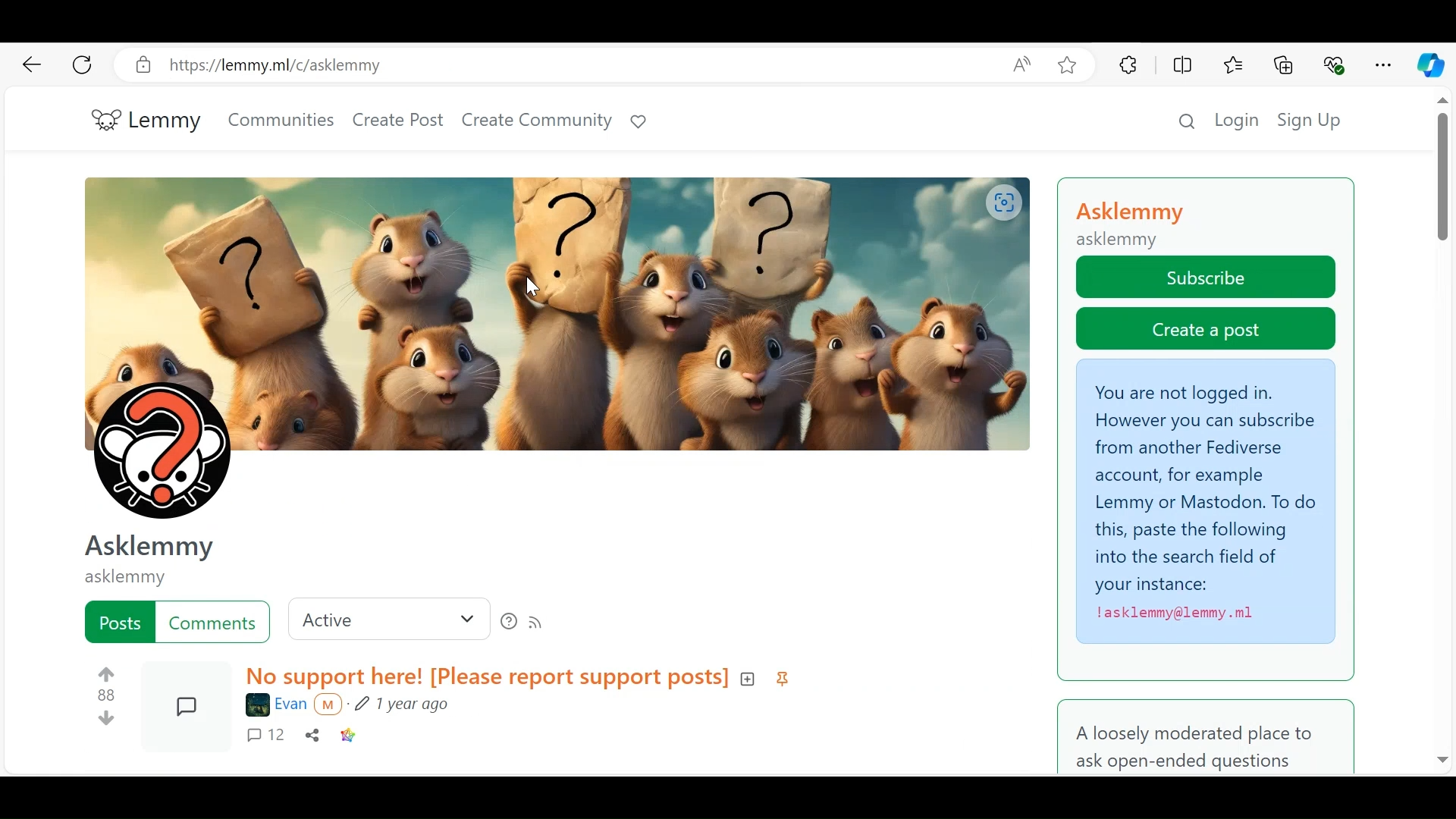  Describe the element at coordinates (276, 705) in the screenshot. I see `Username` at that location.